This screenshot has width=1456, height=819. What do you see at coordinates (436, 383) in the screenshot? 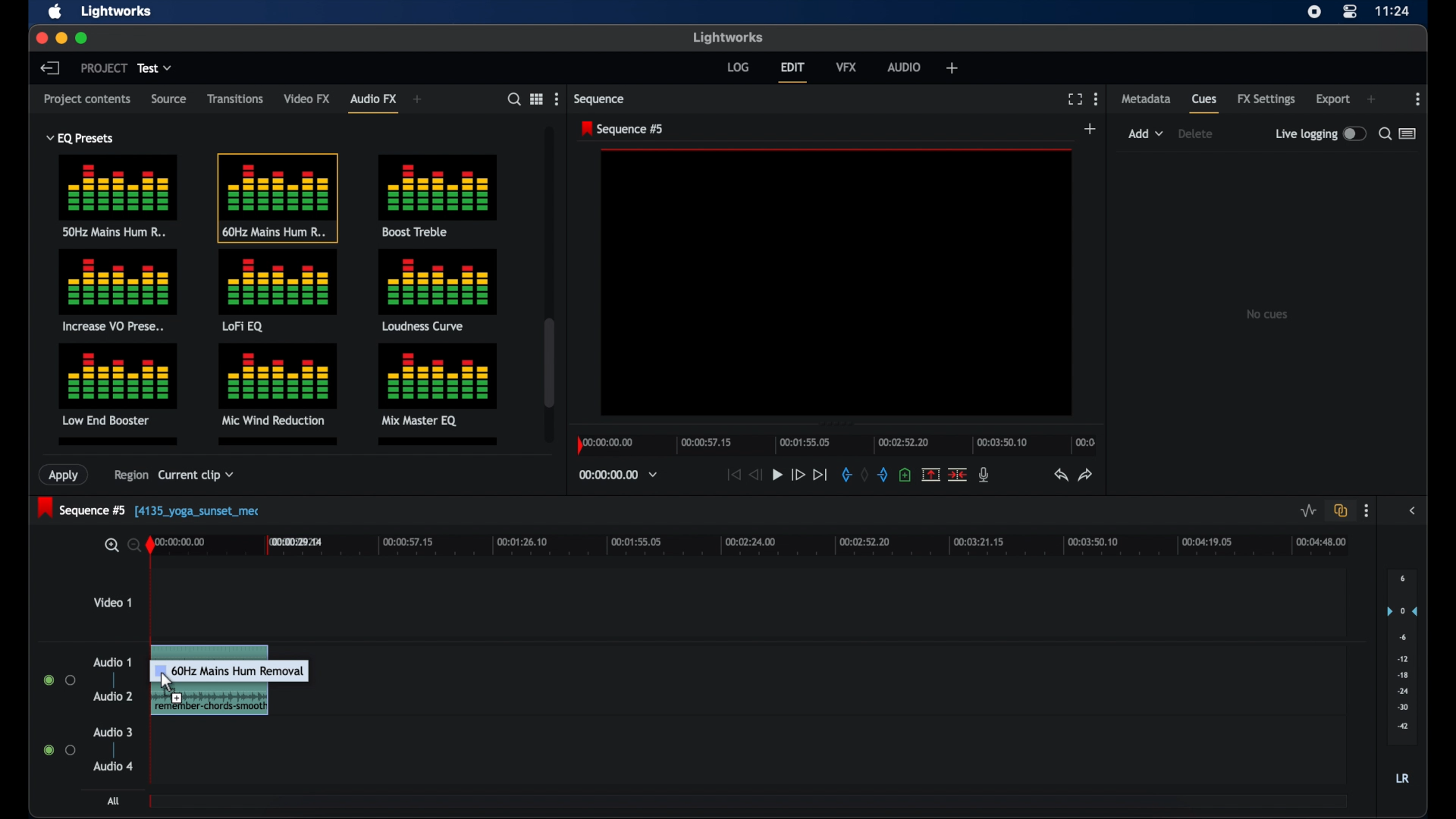
I see `mix master eq` at bounding box center [436, 383].